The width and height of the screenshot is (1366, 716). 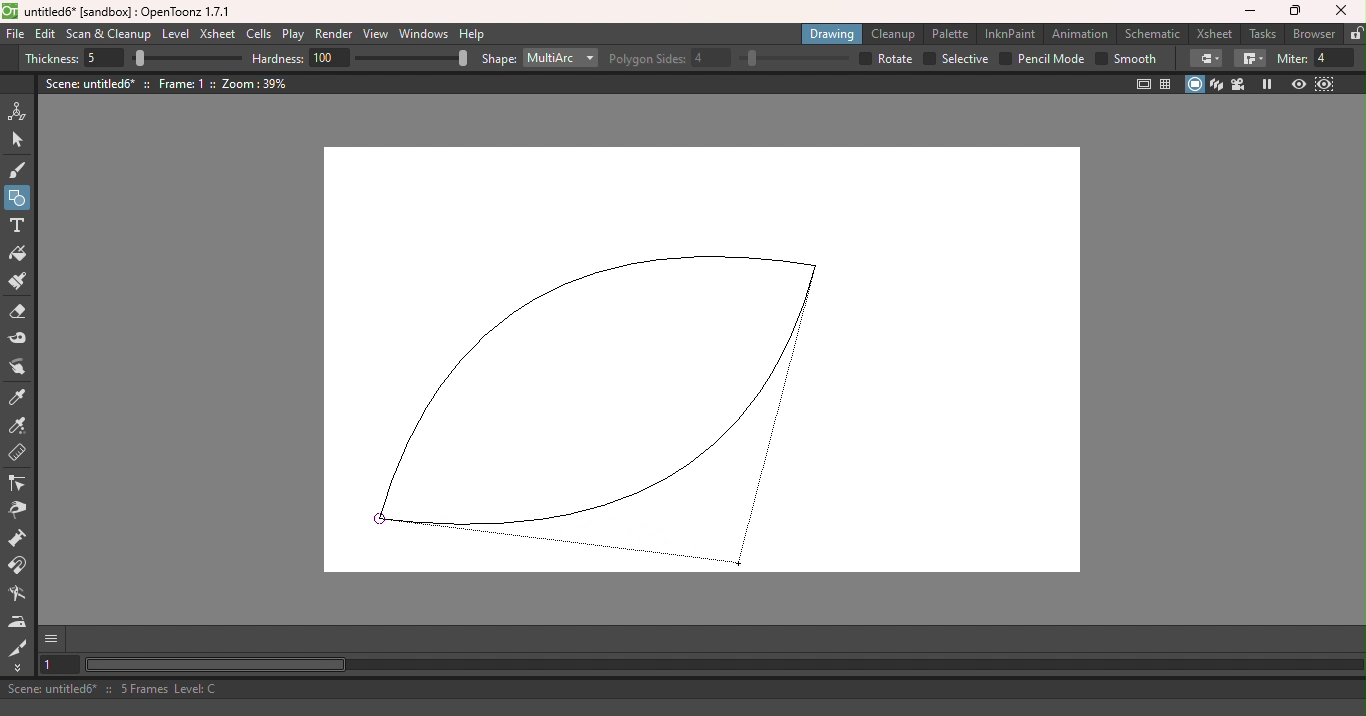 What do you see at coordinates (1205, 59) in the screenshot?
I see `Cap` at bounding box center [1205, 59].